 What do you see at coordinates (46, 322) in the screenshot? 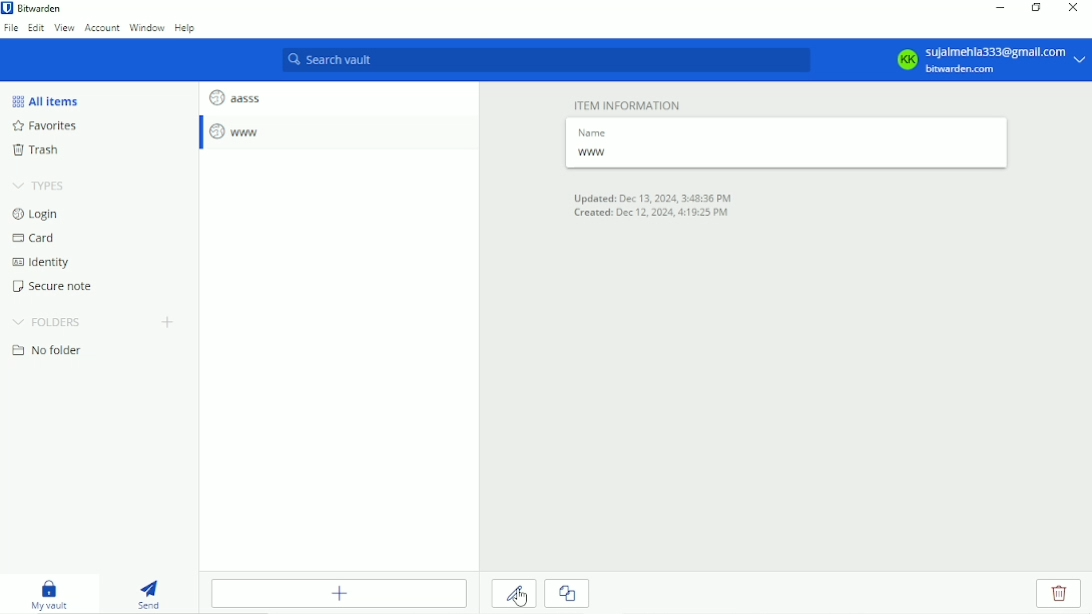
I see `Folders` at bounding box center [46, 322].